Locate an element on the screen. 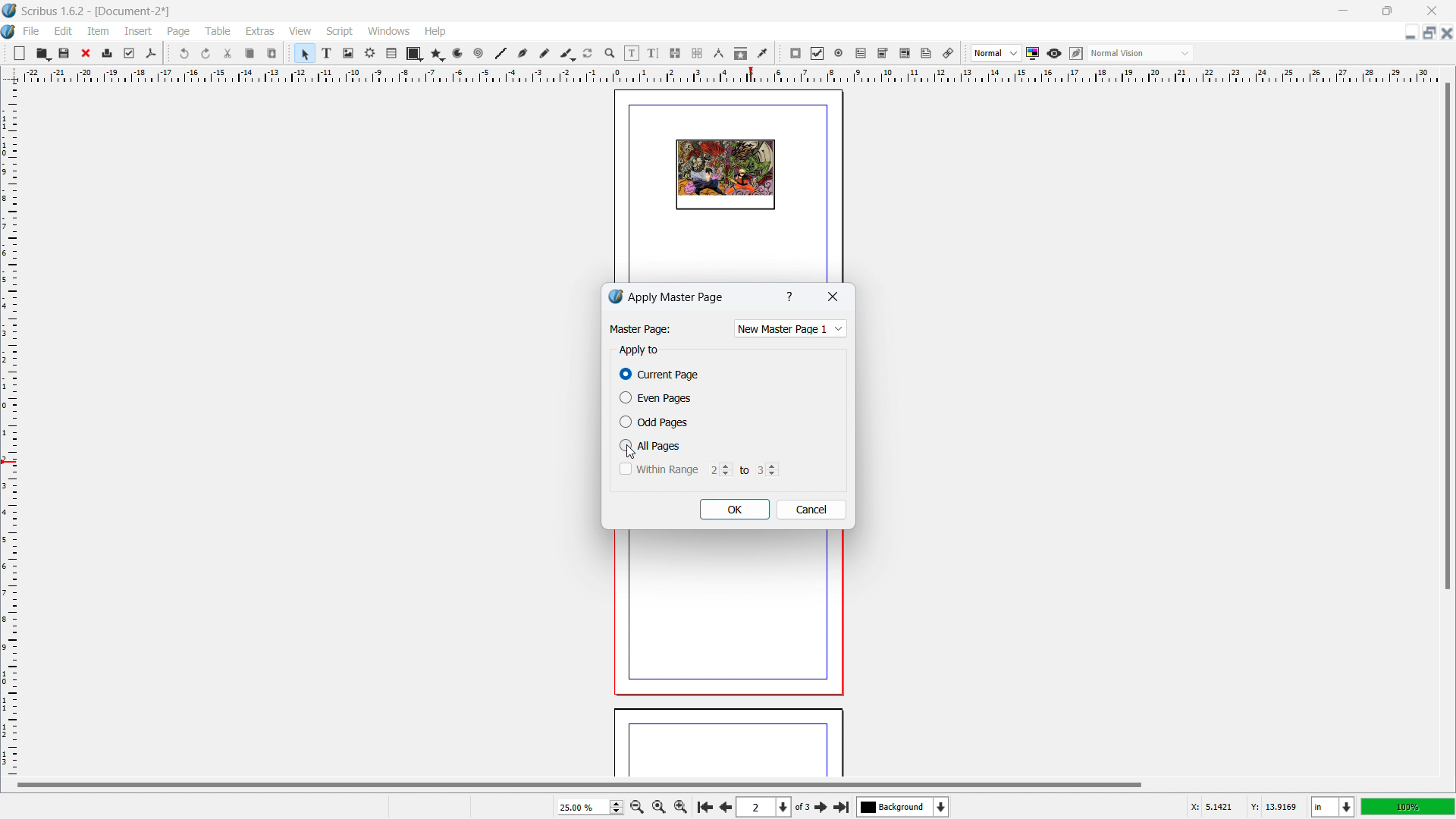 This screenshot has height=819, width=1456. image frame is located at coordinates (348, 53).